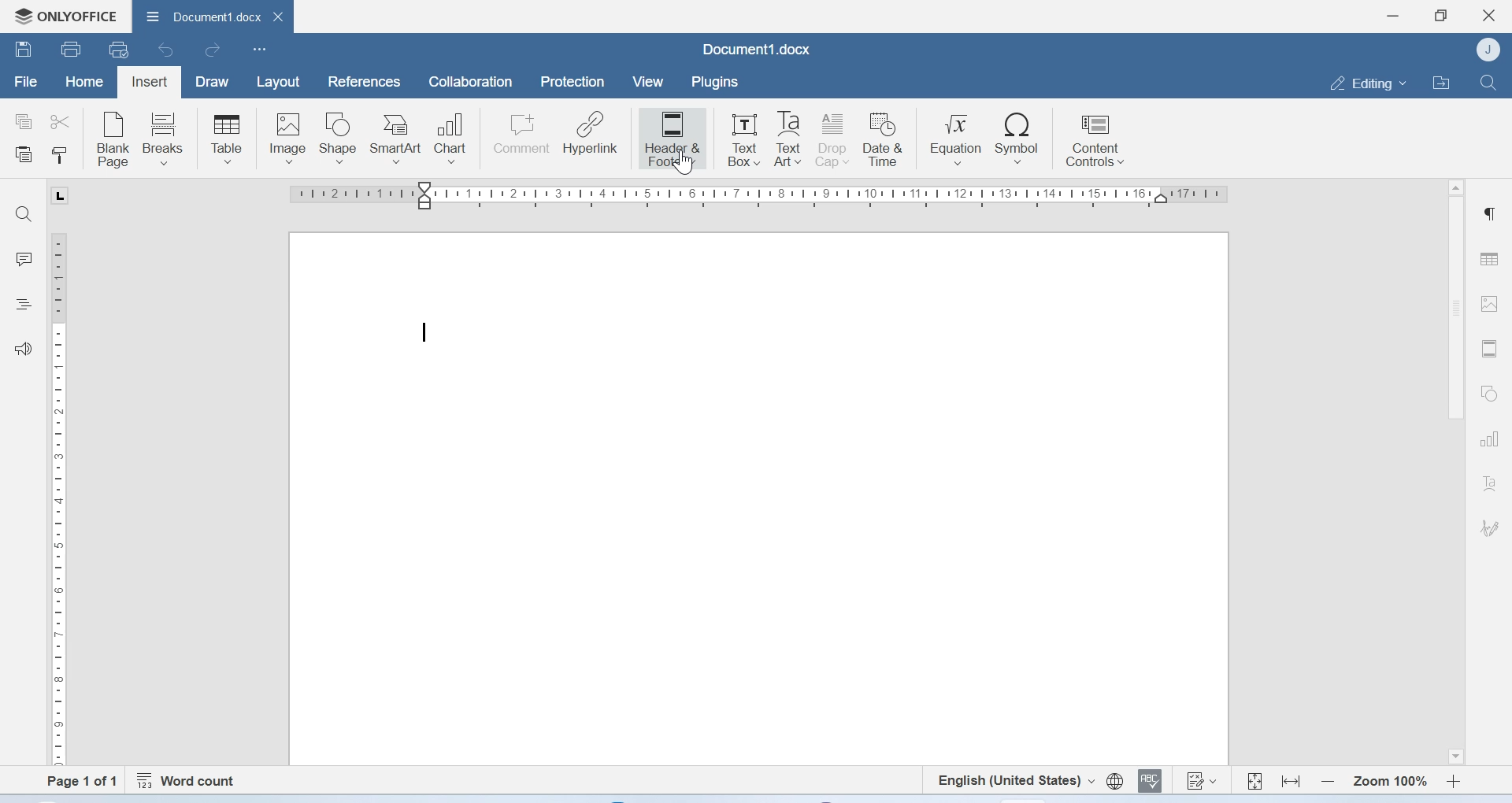 The image size is (1512, 803). I want to click on copy, so click(24, 122).